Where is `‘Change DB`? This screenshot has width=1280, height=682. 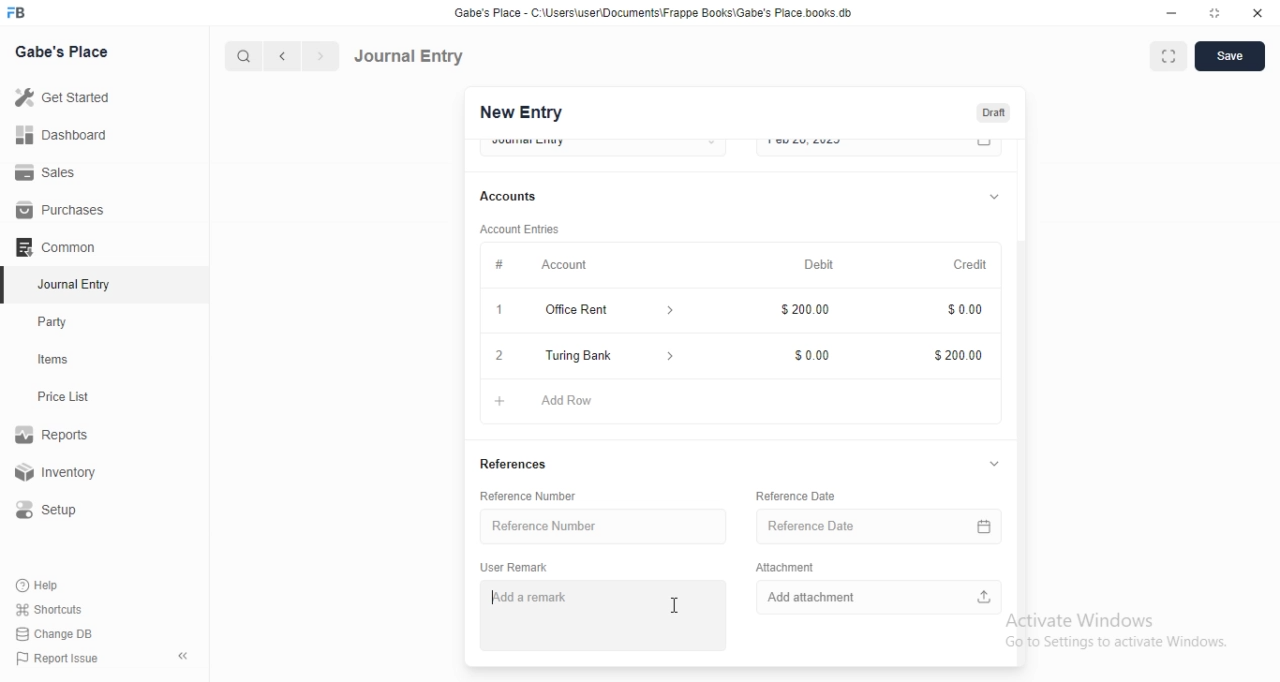 ‘Change DB is located at coordinates (55, 634).